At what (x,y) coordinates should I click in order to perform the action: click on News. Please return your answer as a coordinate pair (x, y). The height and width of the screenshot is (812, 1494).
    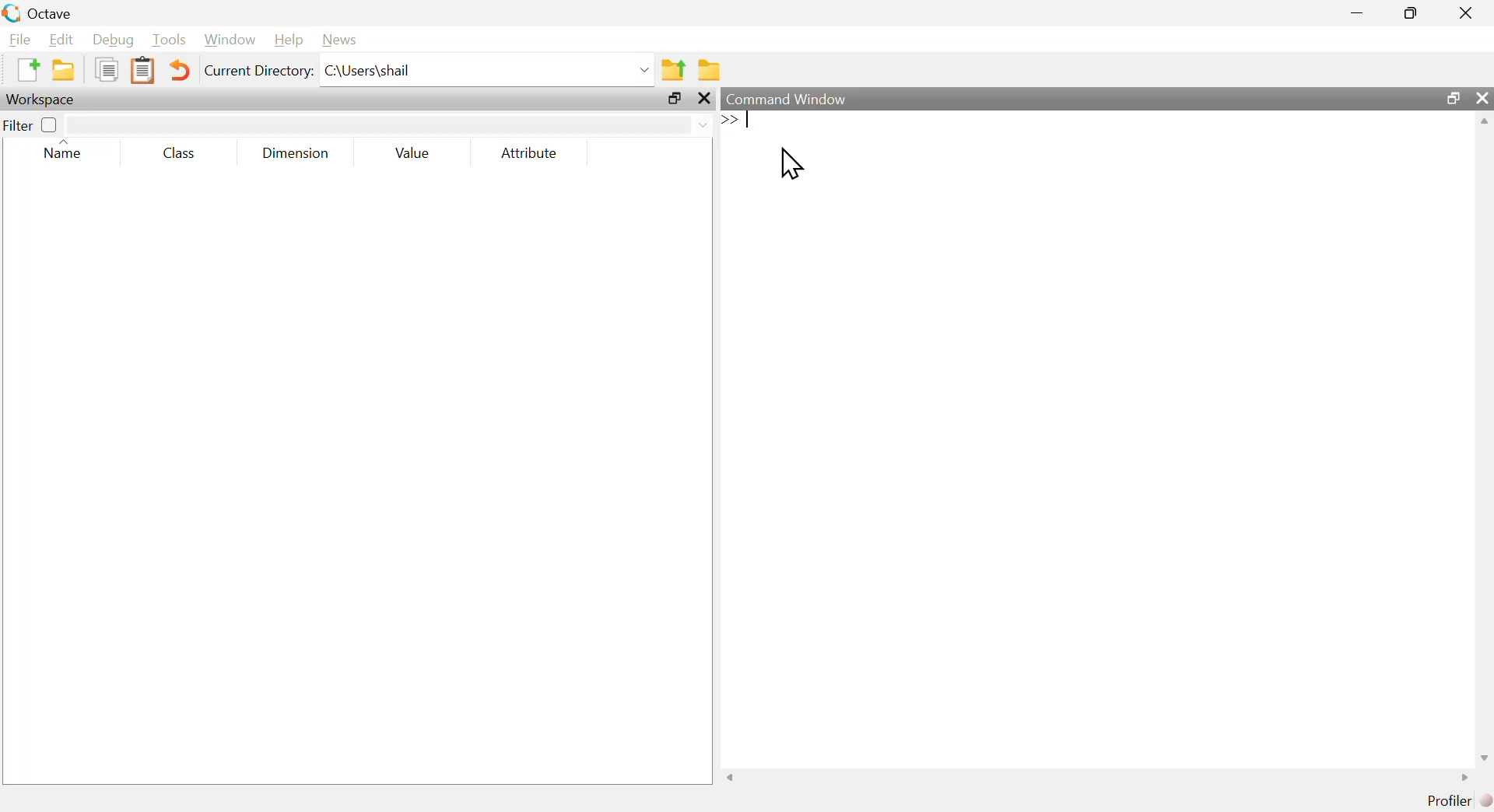
    Looking at the image, I should click on (345, 40).